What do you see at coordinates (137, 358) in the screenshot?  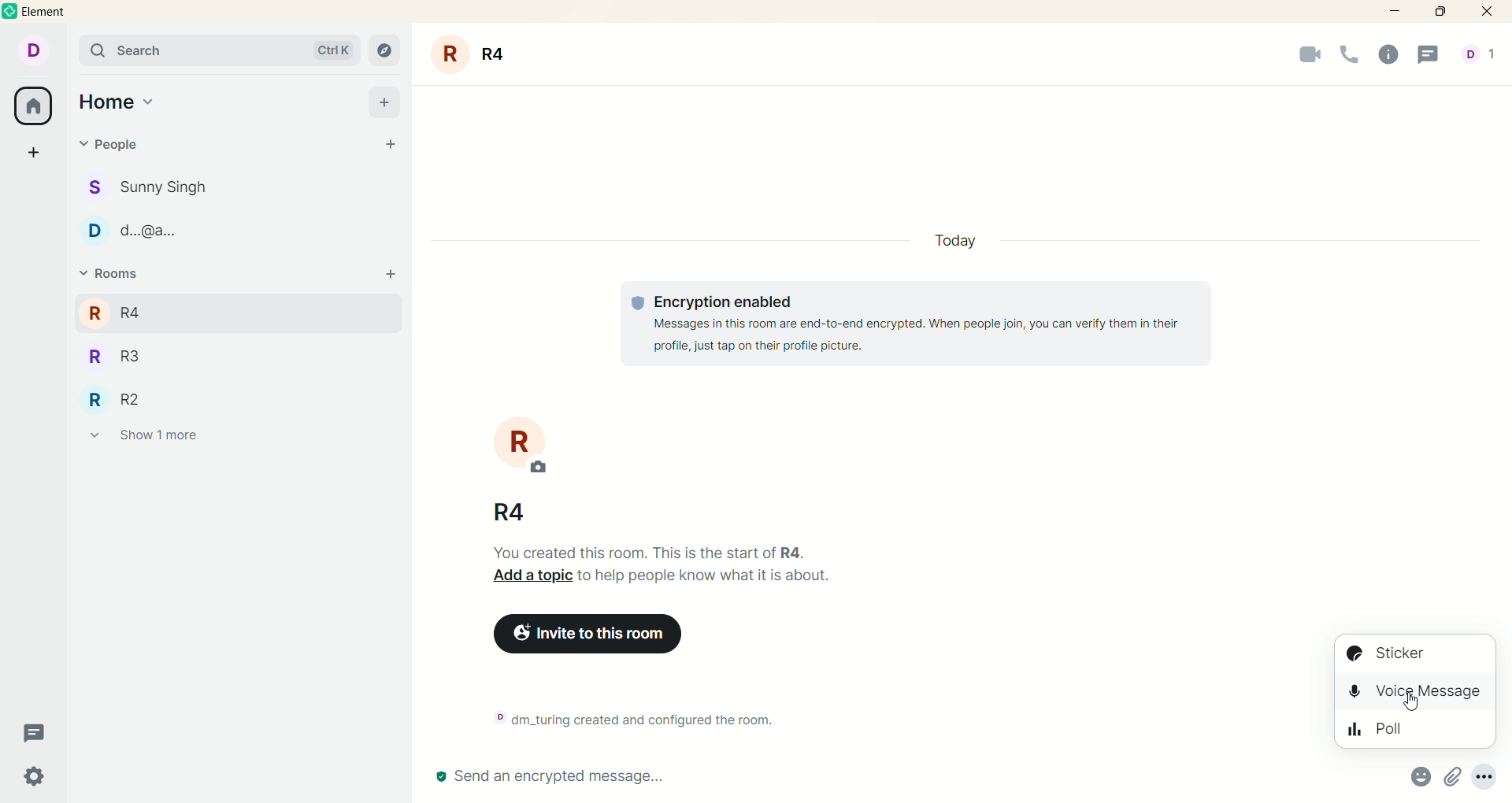 I see `R3` at bounding box center [137, 358].